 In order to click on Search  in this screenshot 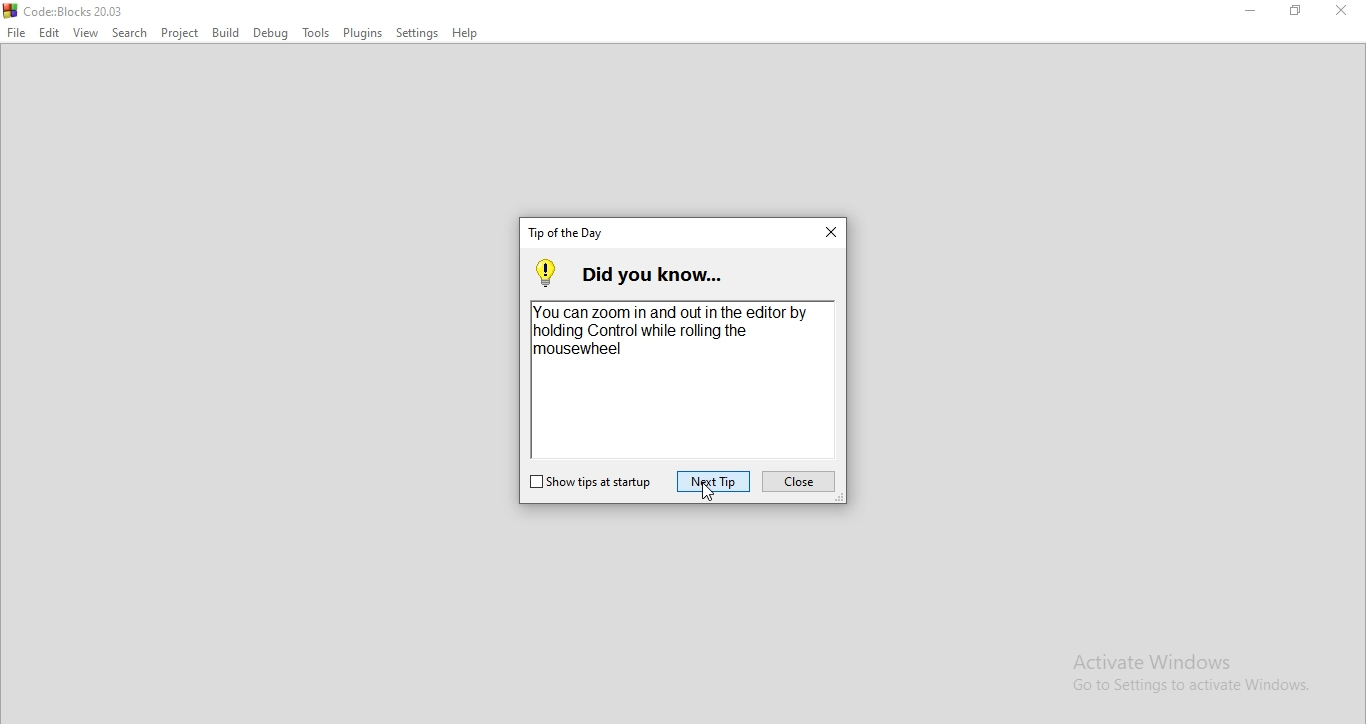, I will do `click(129, 32)`.